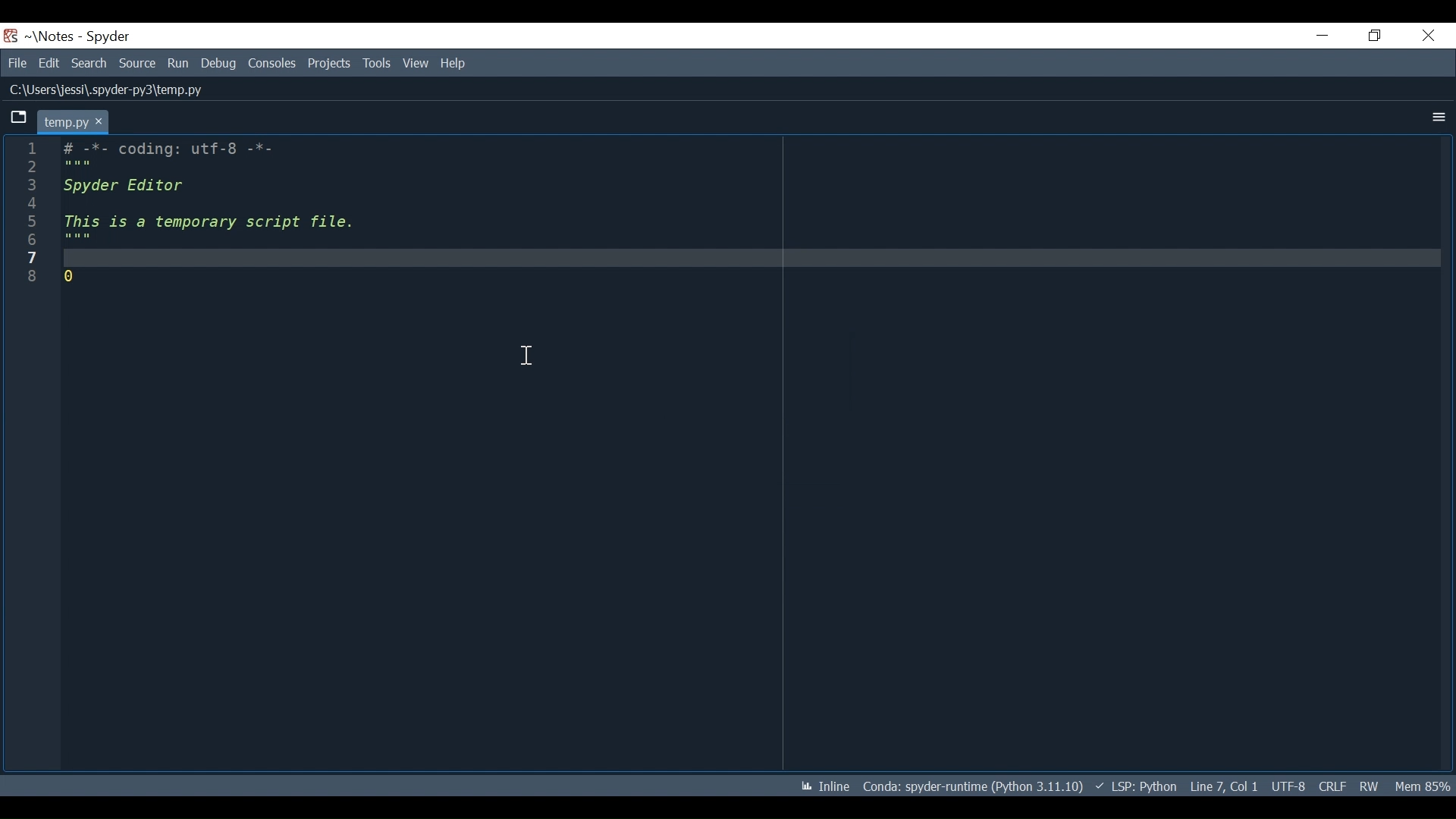 This screenshot has width=1456, height=819. Describe the element at coordinates (1225, 786) in the screenshot. I see `Line 7, col 1` at that location.